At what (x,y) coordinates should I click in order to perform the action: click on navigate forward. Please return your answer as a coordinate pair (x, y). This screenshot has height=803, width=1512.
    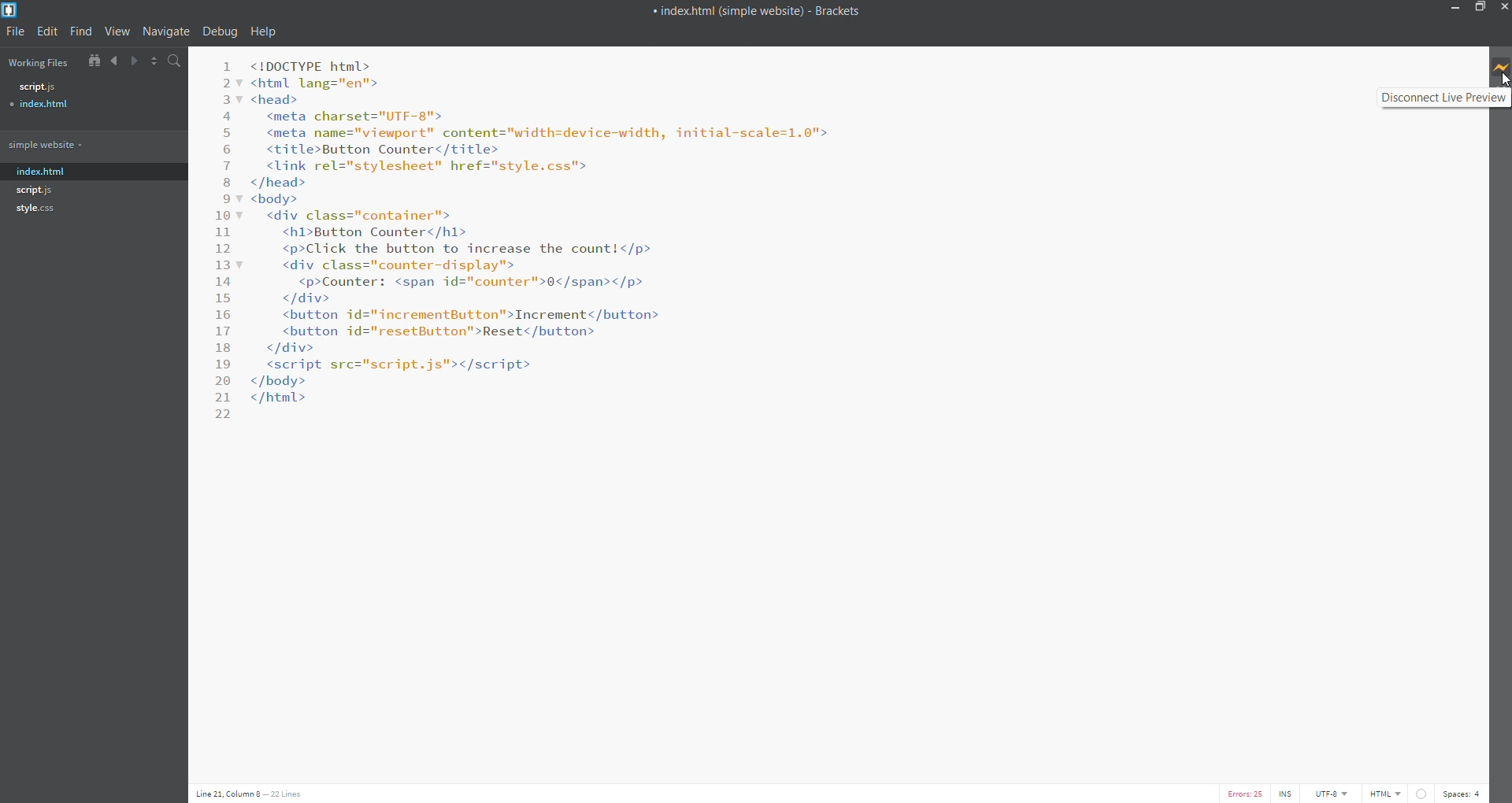
    Looking at the image, I should click on (132, 61).